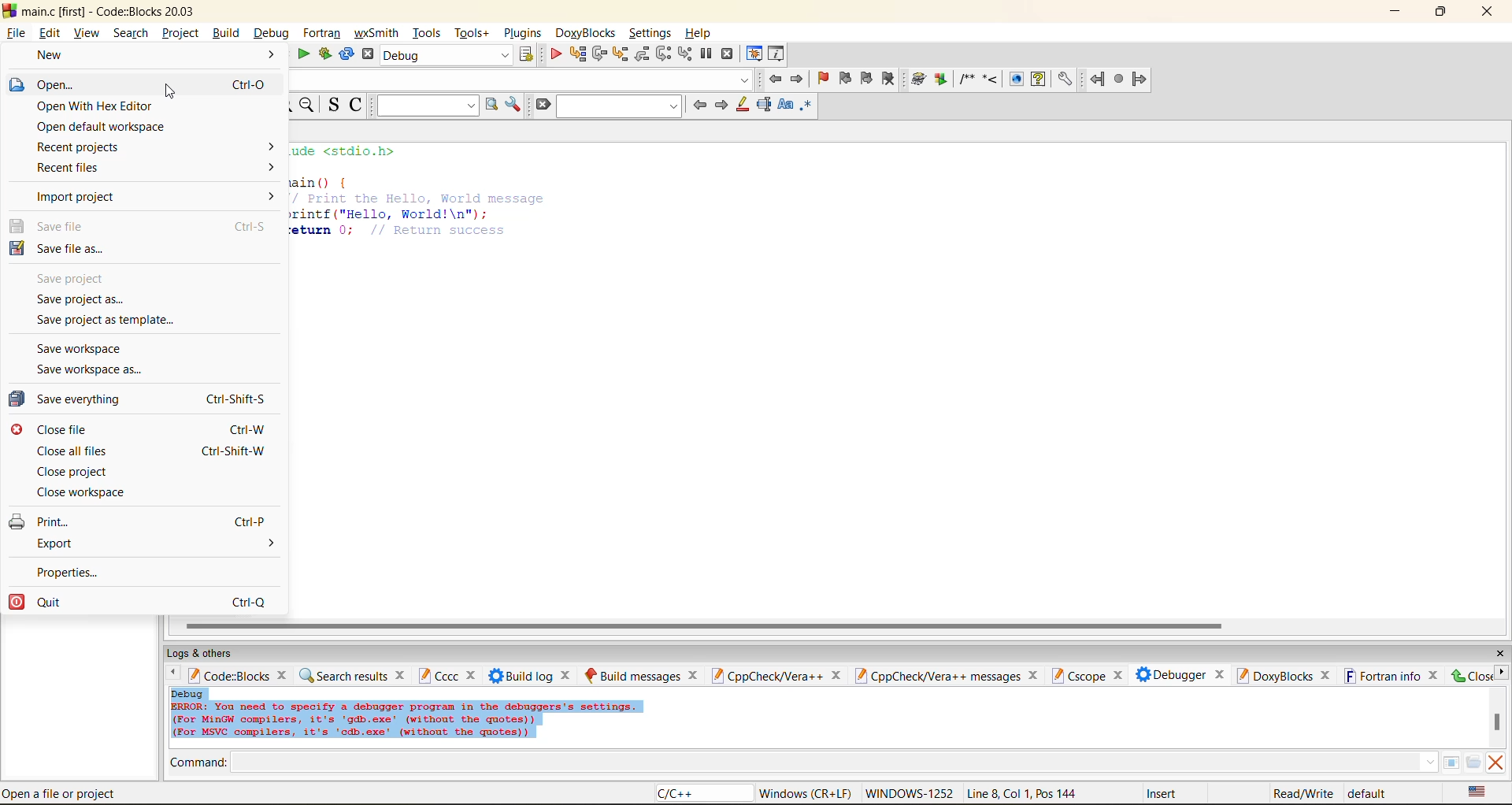  I want to click on build log, so click(521, 676).